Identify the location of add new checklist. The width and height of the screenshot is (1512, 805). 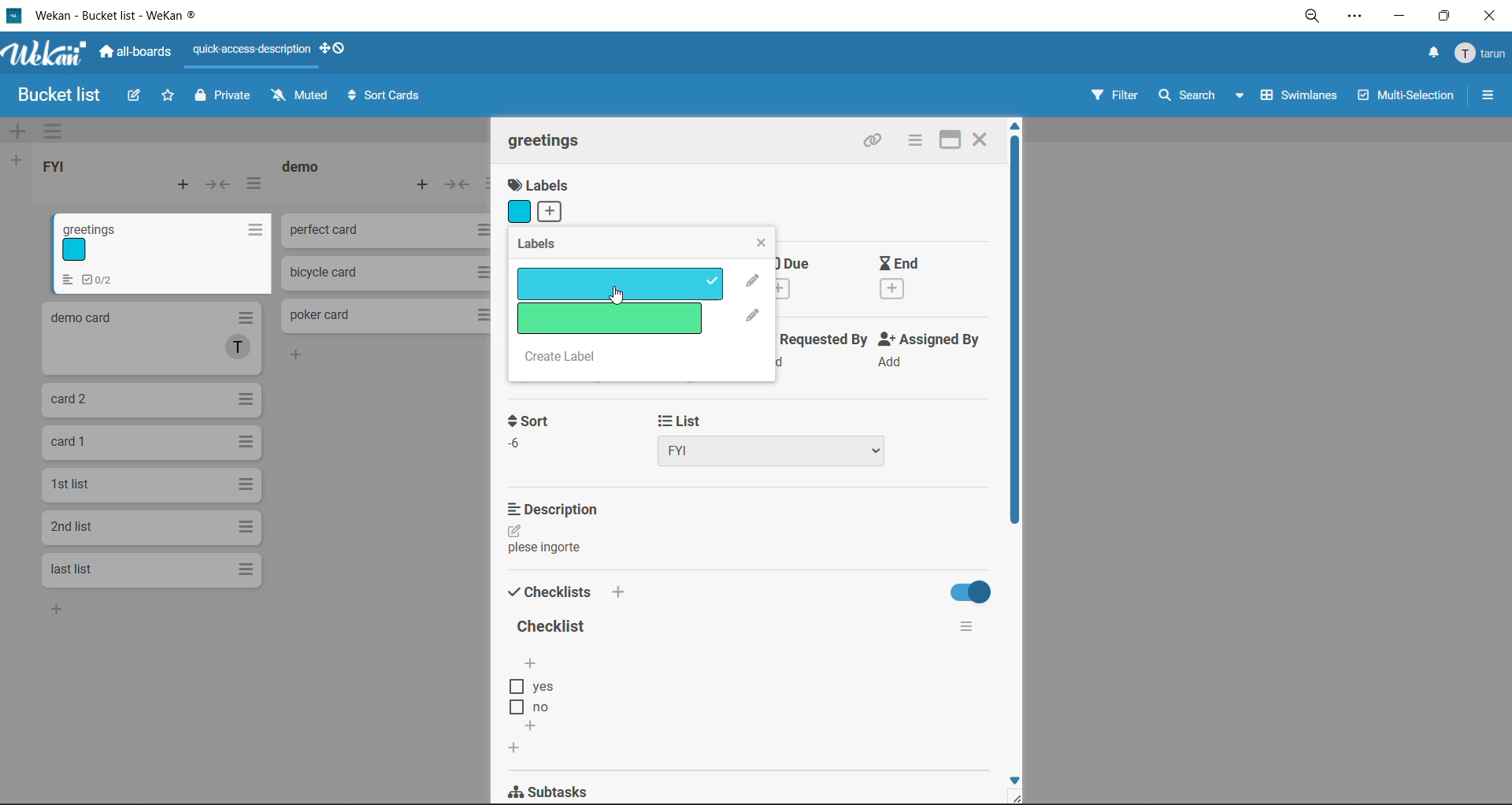
(513, 747).